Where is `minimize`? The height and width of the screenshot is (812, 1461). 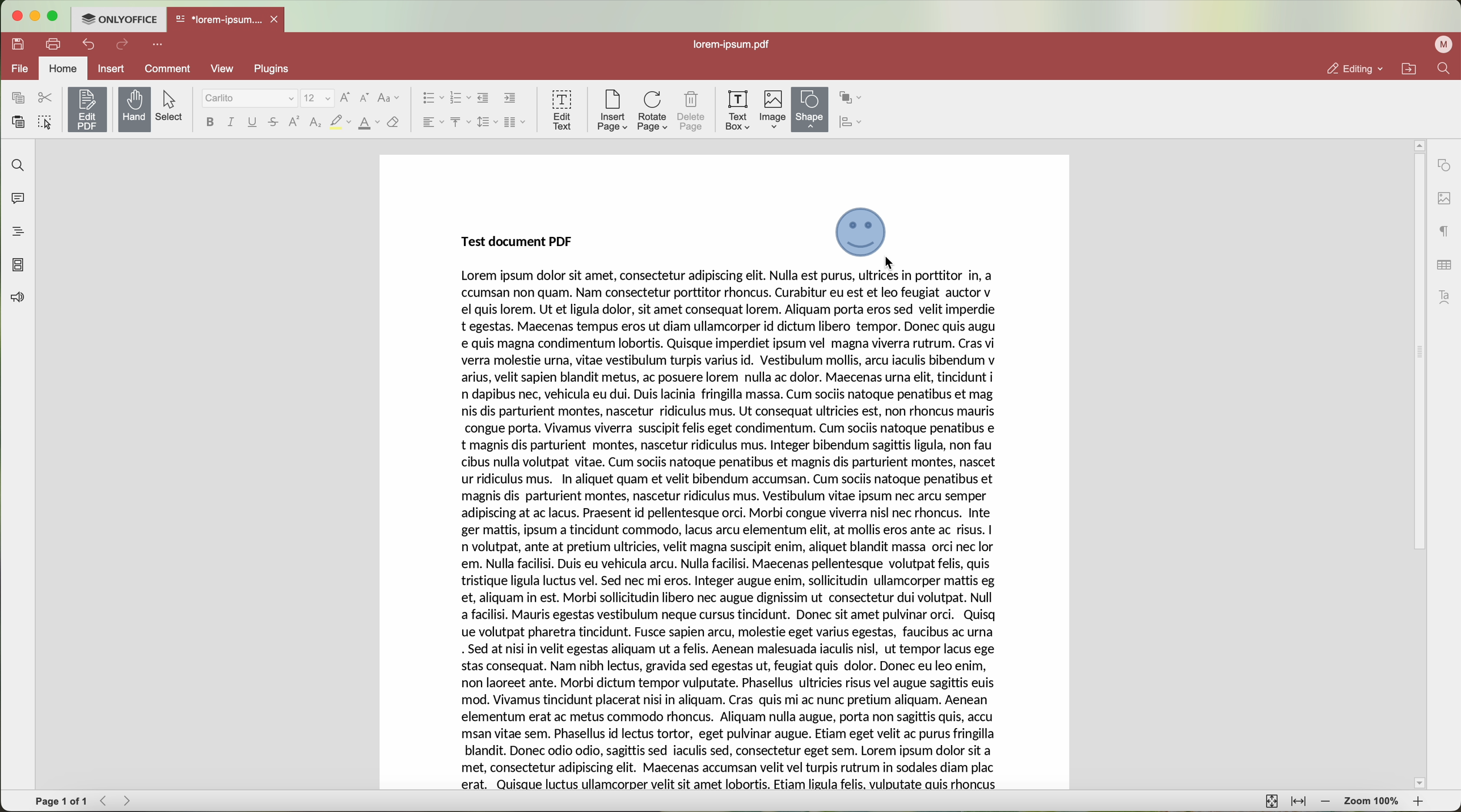
minimize is located at coordinates (36, 16).